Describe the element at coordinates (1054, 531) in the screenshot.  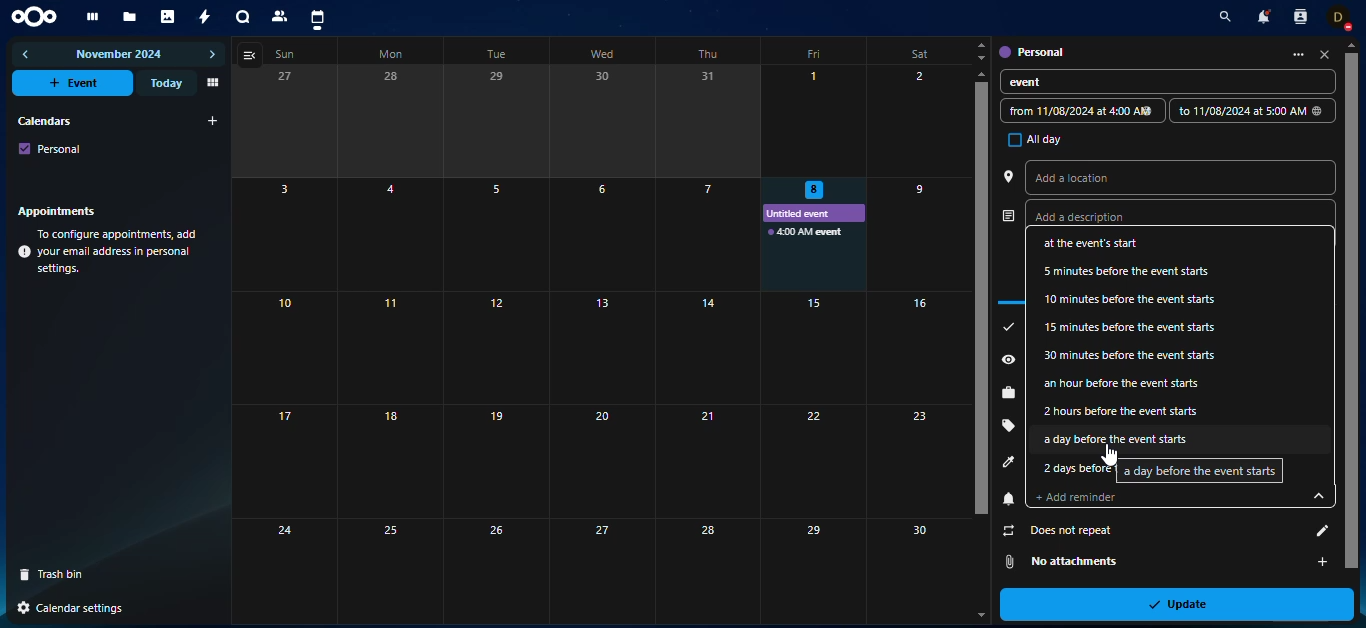
I see `does not repeat` at that location.